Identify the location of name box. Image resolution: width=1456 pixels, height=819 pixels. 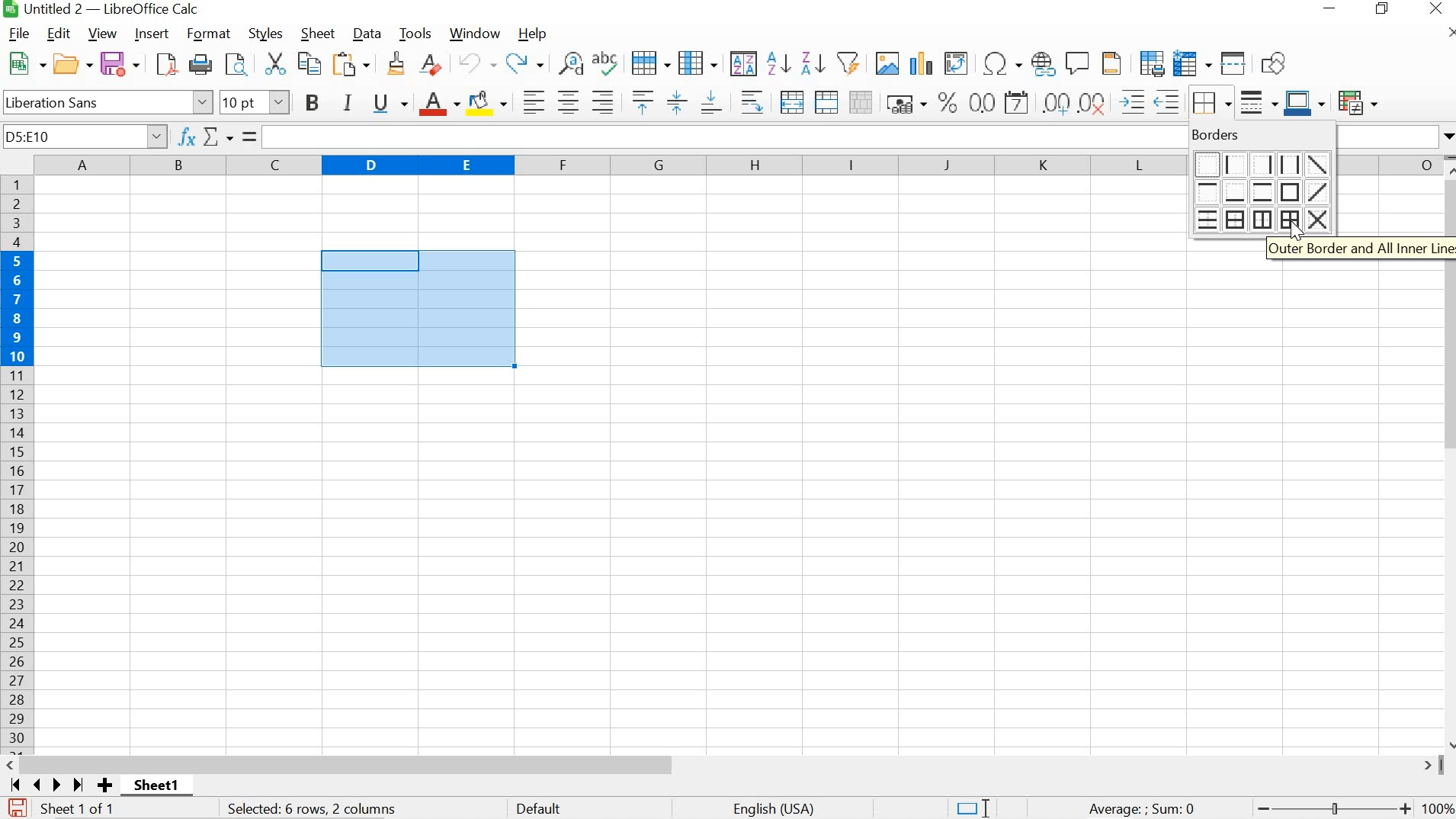
(85, 136).